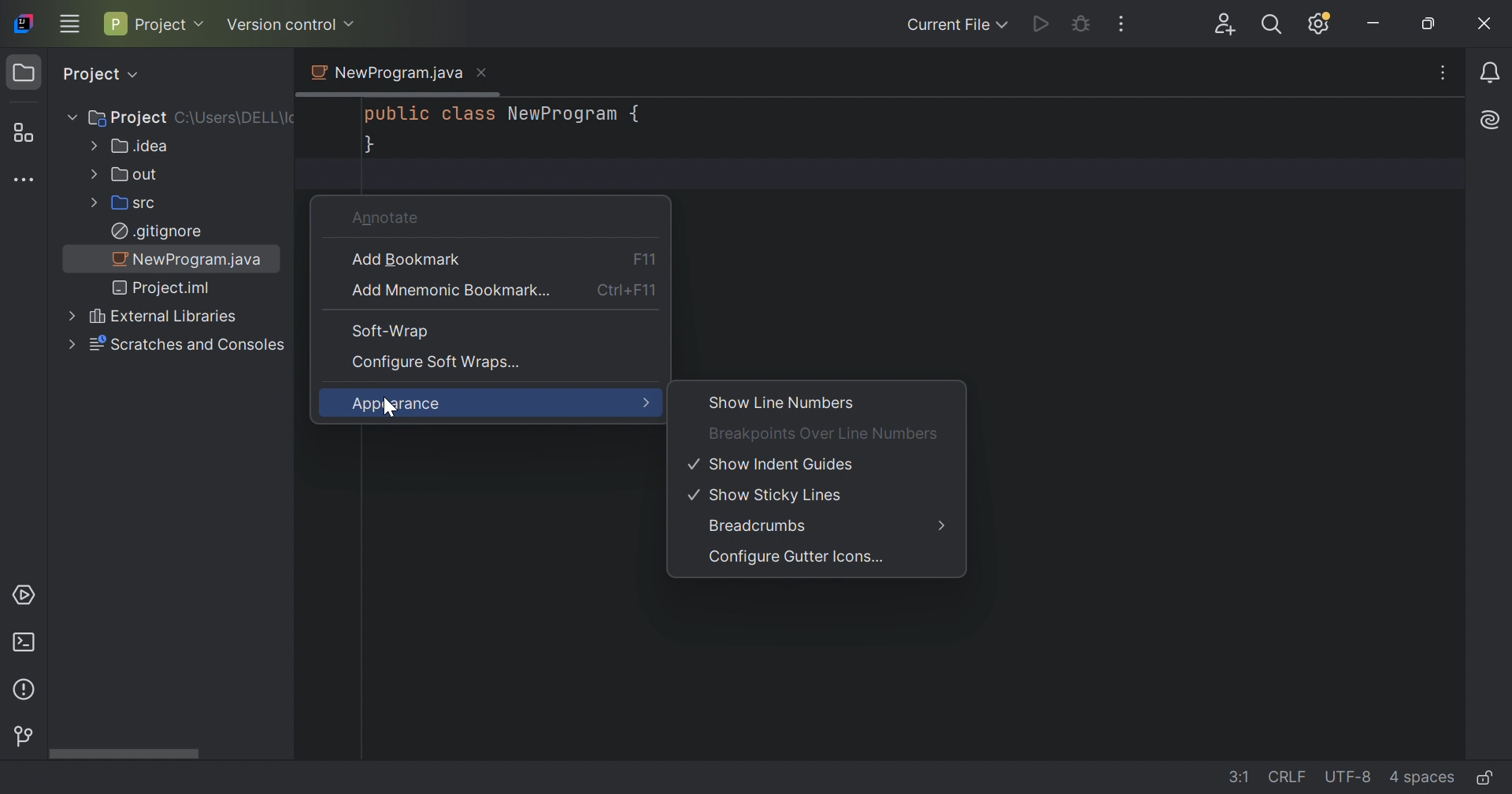  Describe the element at coordinates (1230, 774) in the screenshot. I see `3:2` at that location.